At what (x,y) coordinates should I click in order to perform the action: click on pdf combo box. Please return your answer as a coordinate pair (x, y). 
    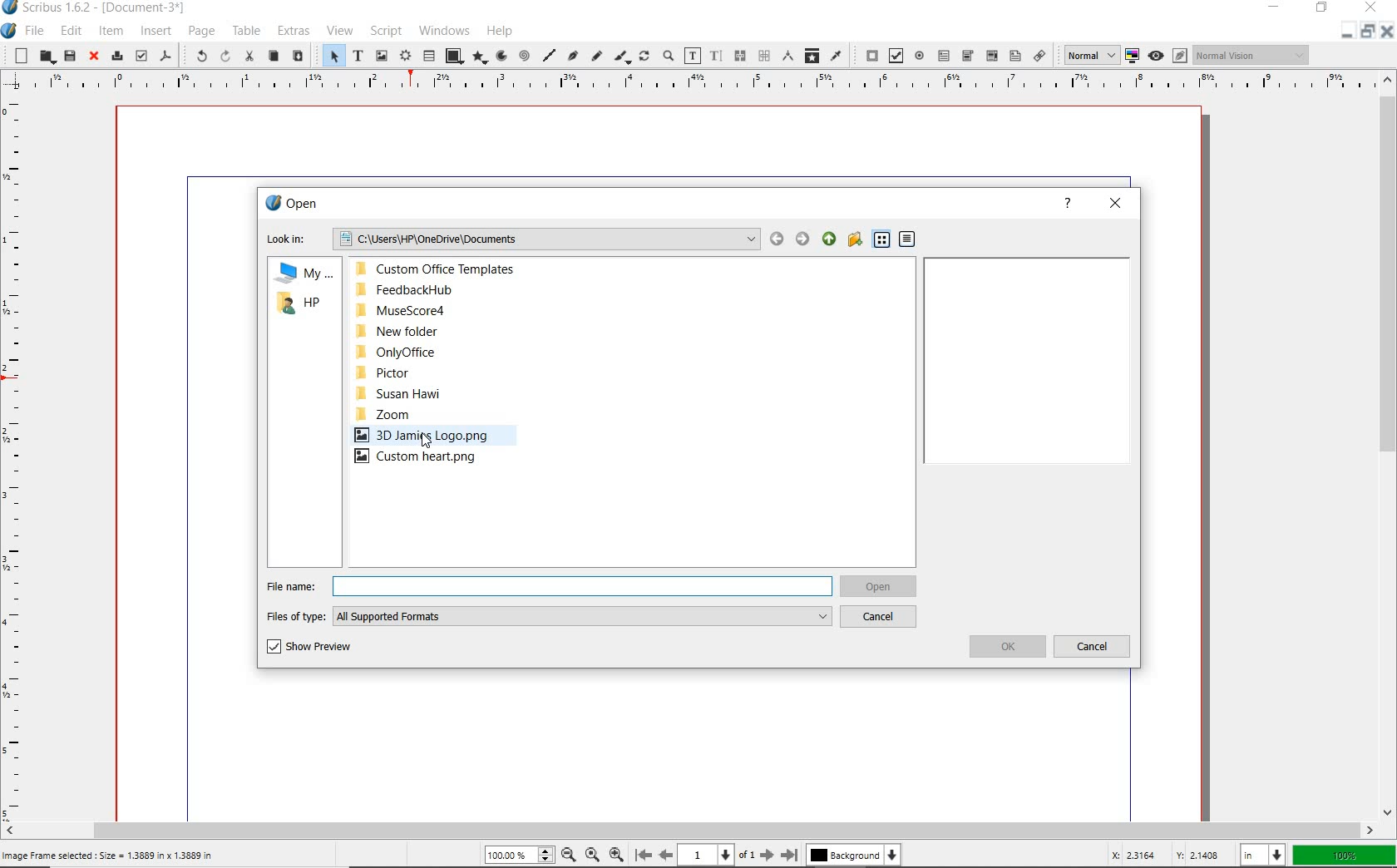
    Looking at the image, I should click on (967, 56).